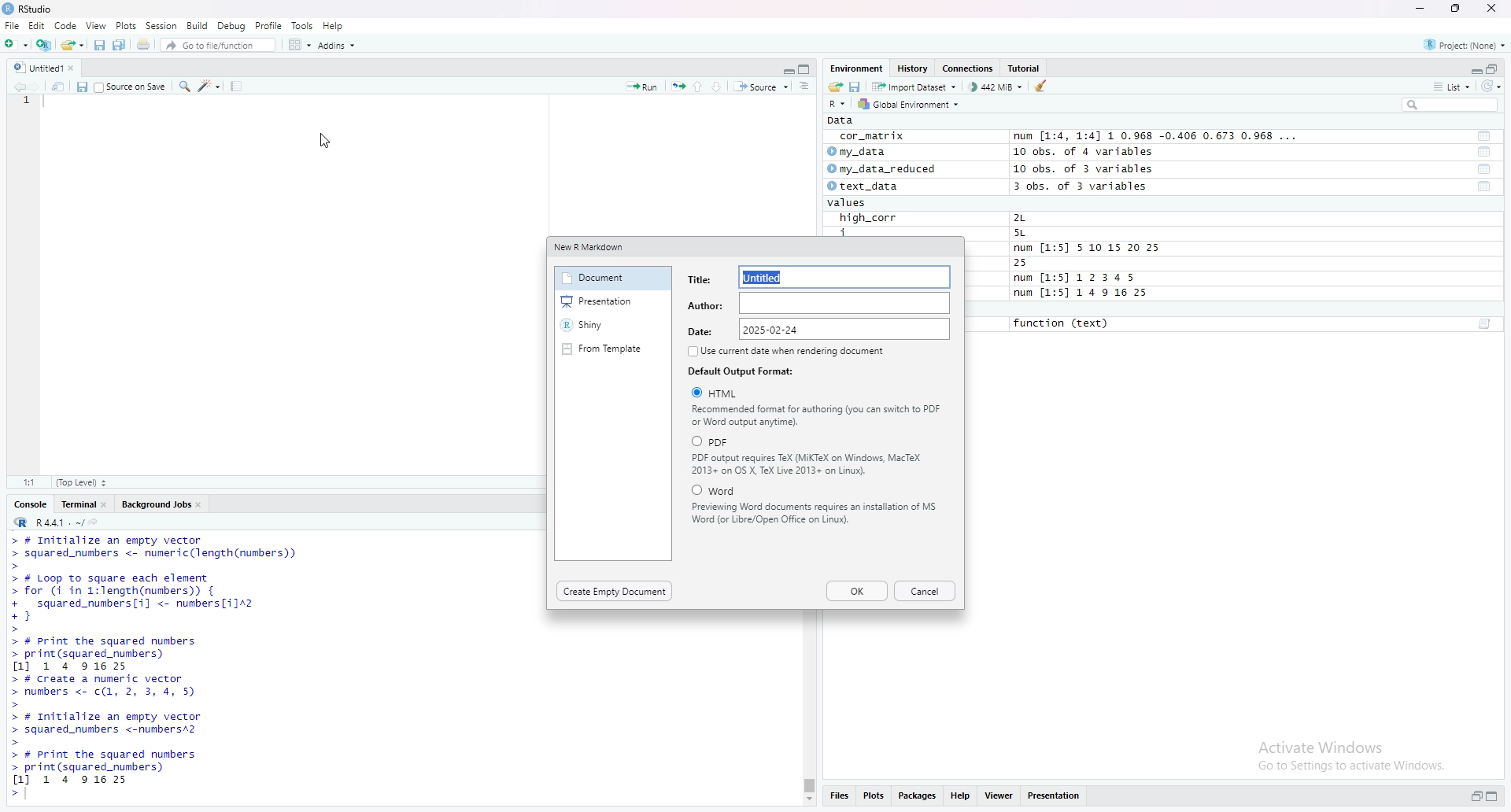 This screenshot has height=812, width=1511. I want to click on Checkbox, so click(693, 441).